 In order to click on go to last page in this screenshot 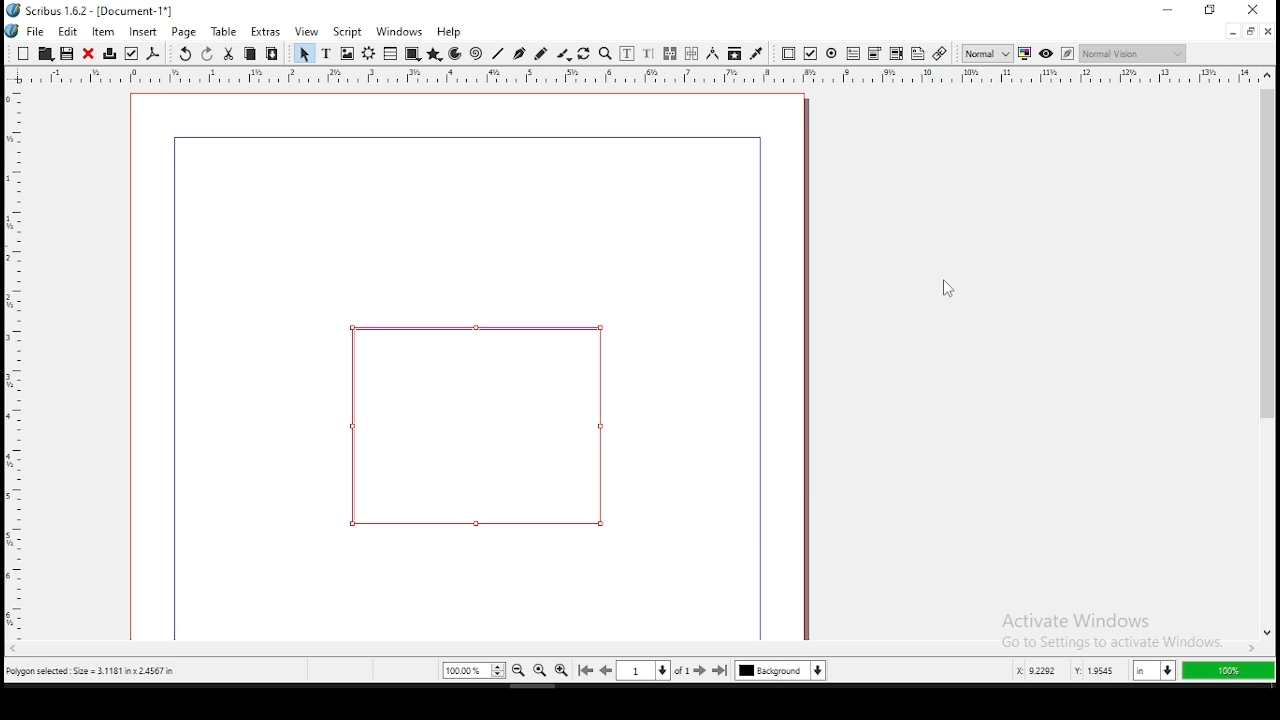, I will do `click(722, 671)`.